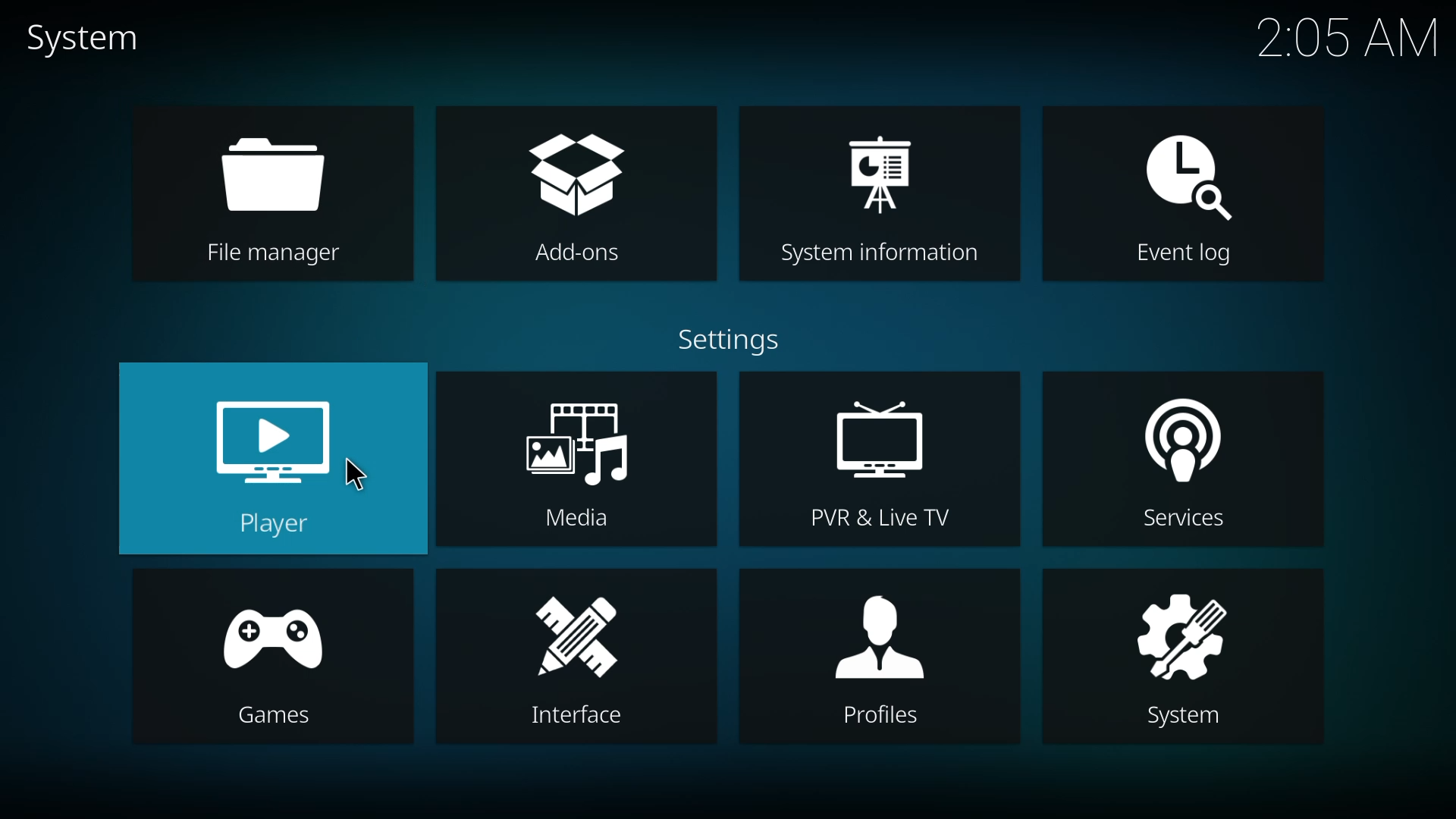  Describe the element at coordinates (579, 196) in the screenshot. I see `add-ons` at that location.